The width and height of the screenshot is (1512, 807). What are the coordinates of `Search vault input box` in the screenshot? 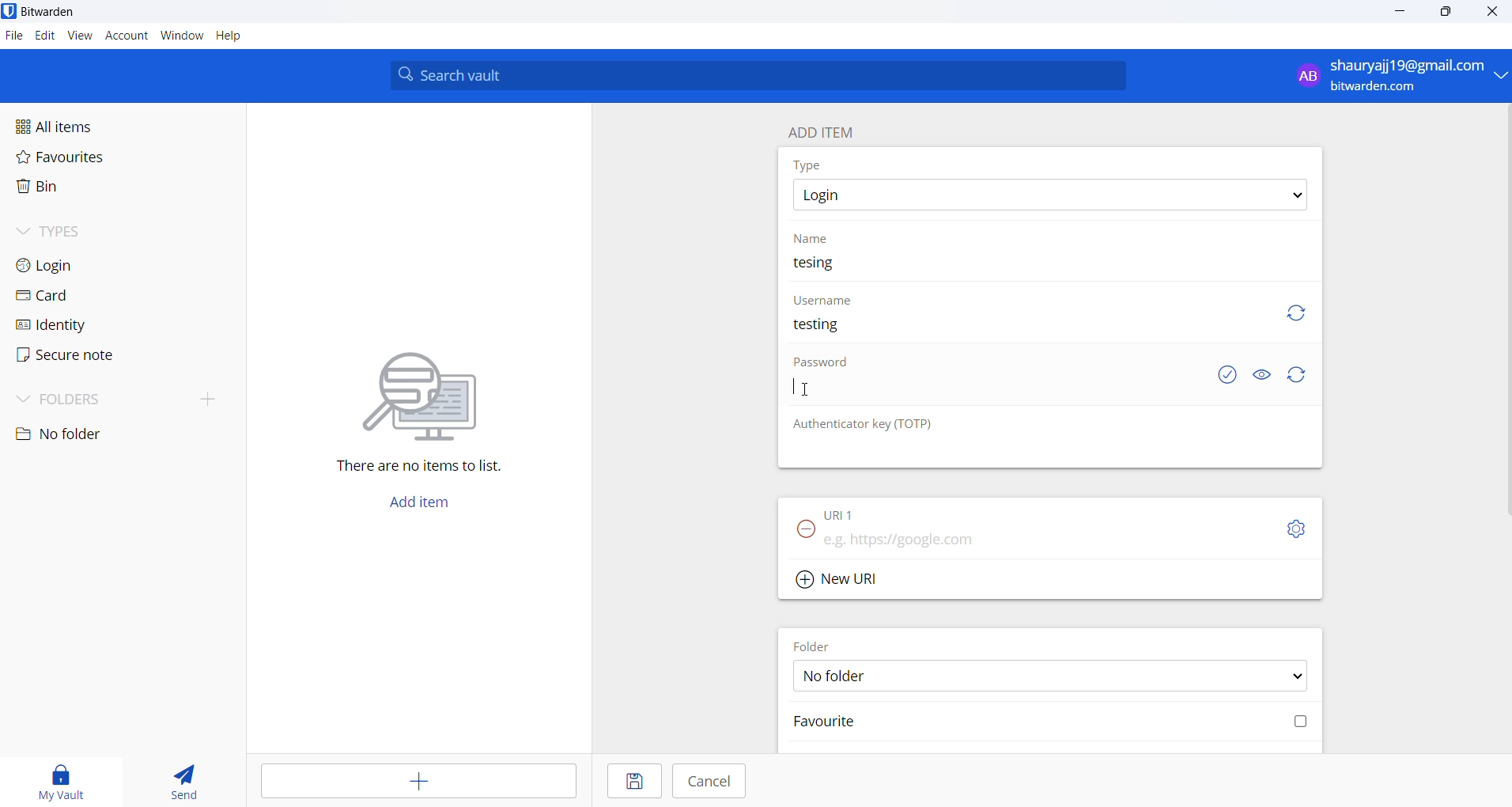 It's located at (753, 75).